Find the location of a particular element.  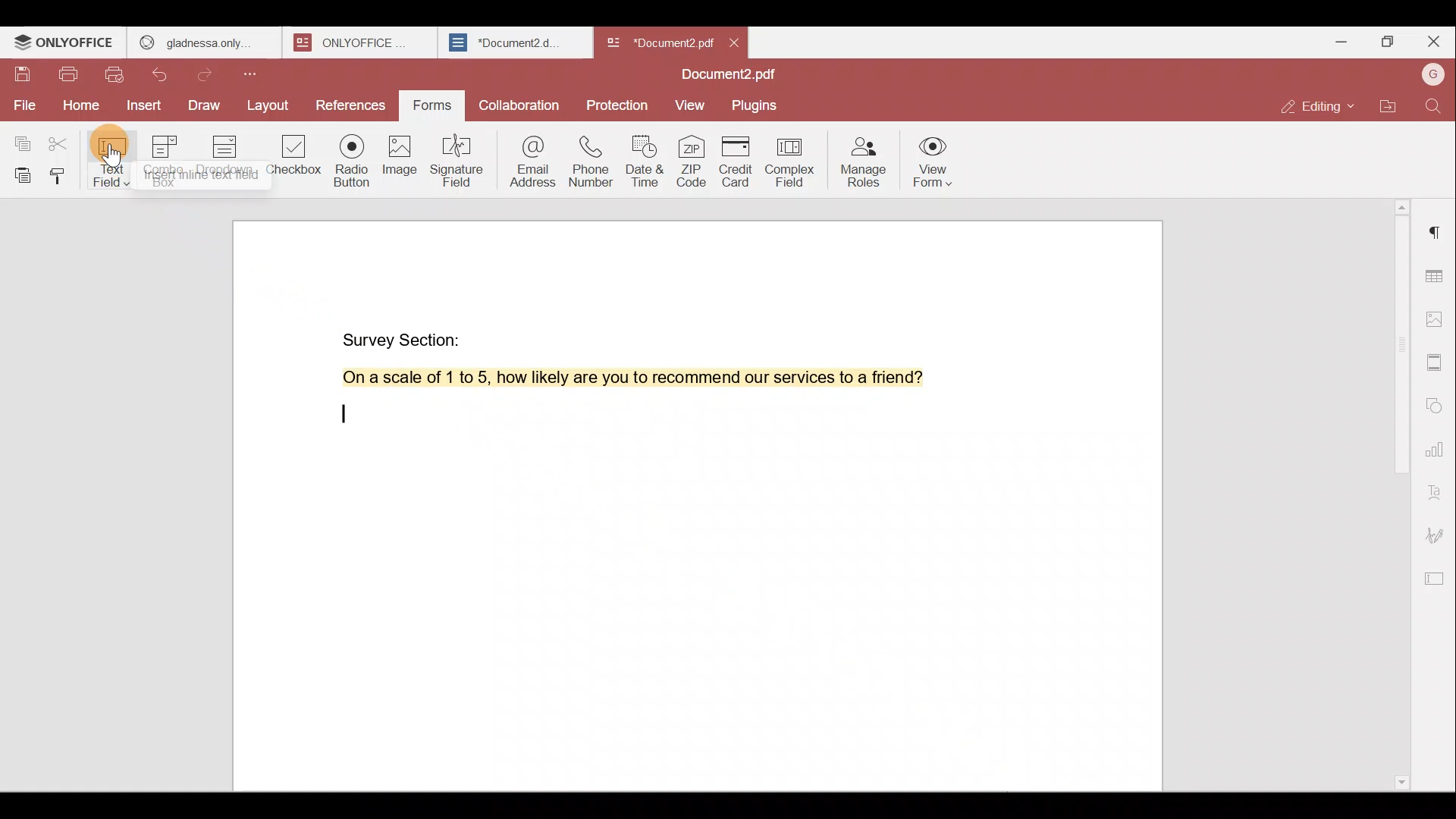

Date & time is located at coordinates (642, 157).